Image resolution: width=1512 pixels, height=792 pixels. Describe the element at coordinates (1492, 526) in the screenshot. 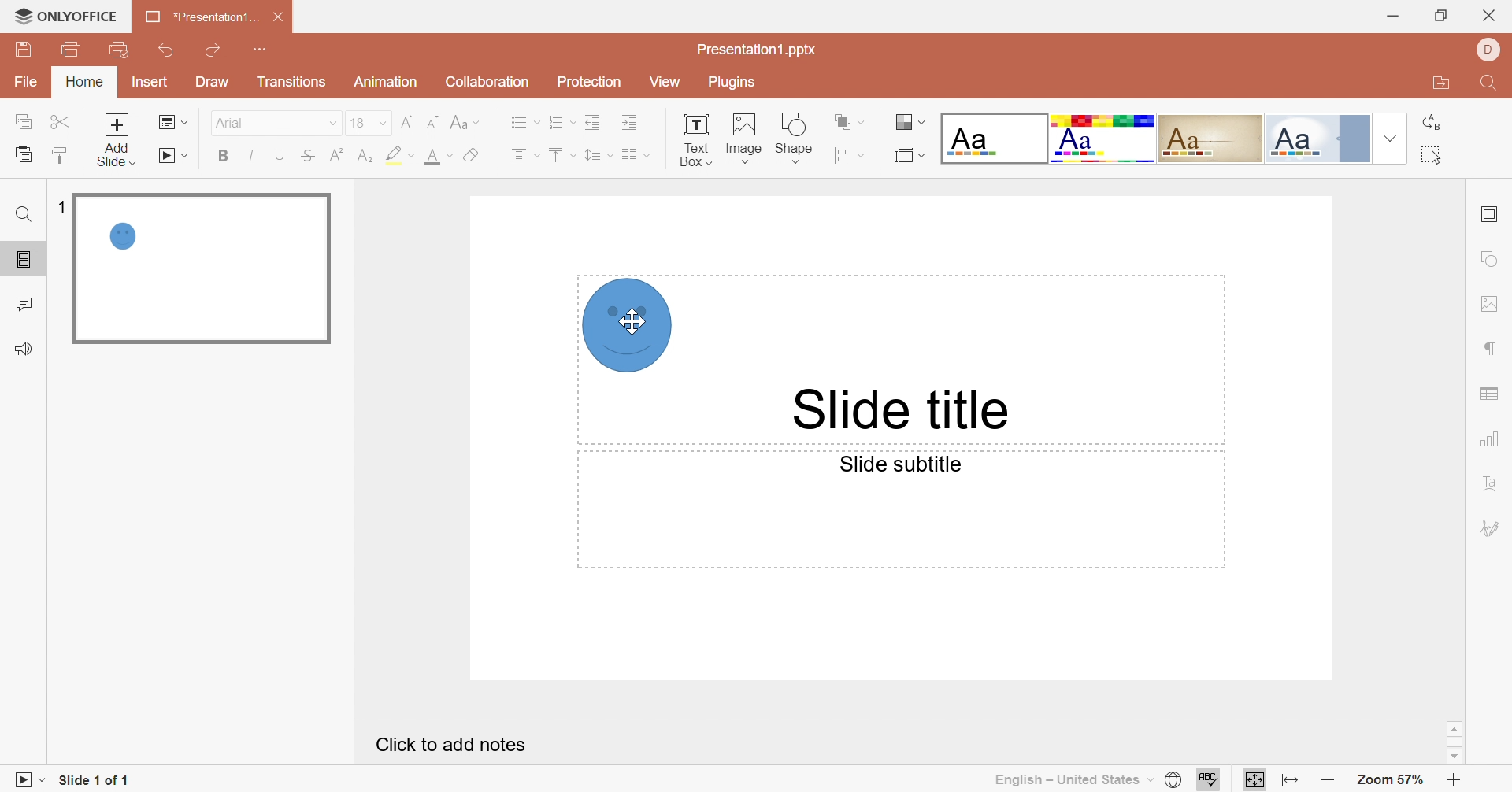

I see `Signature settings` at that location.